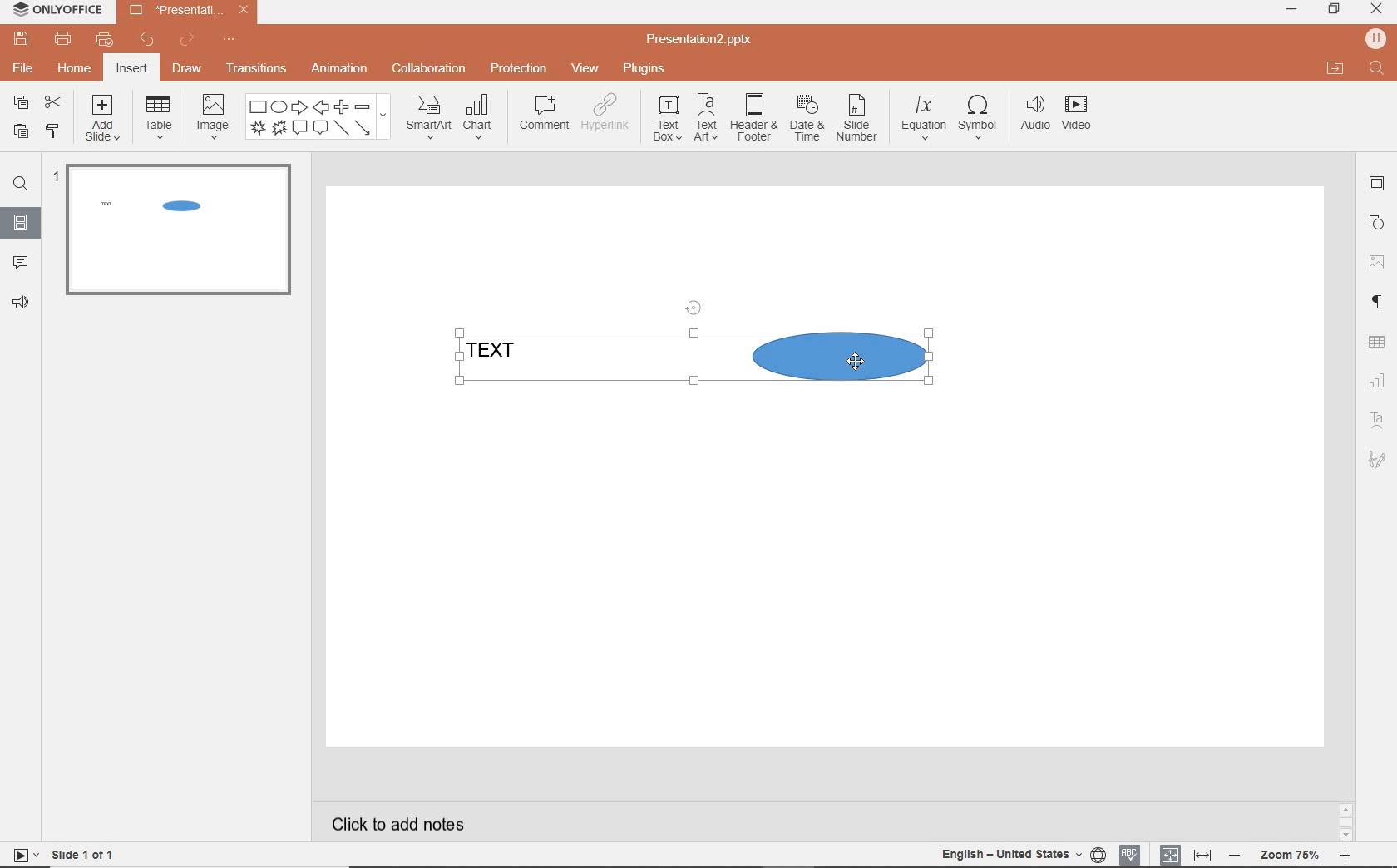 This screenshot has width=1397, height=868. I want to click on print, so click(64, 39).